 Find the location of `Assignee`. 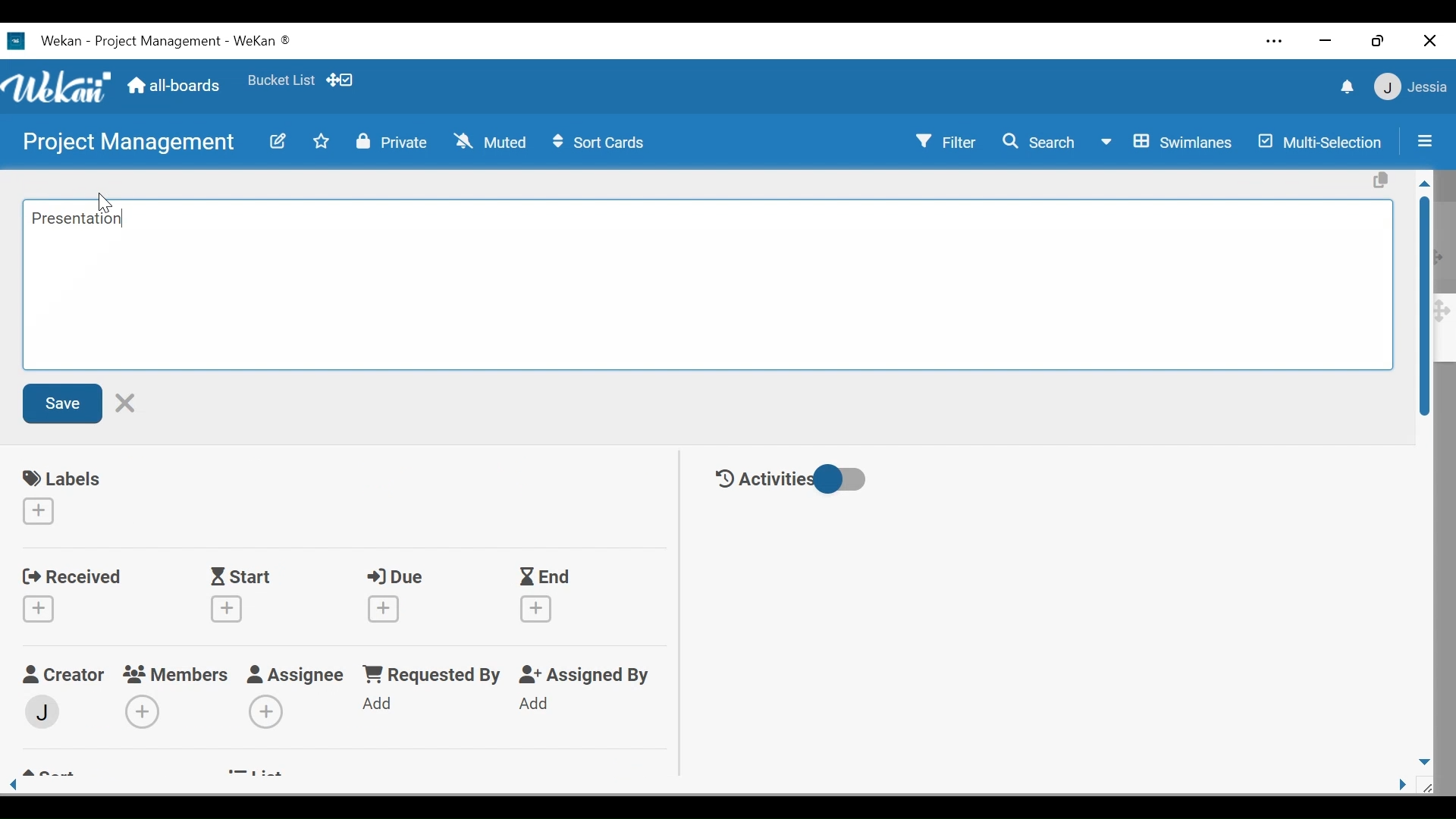

Assignee is located at coordinates (294, 676).